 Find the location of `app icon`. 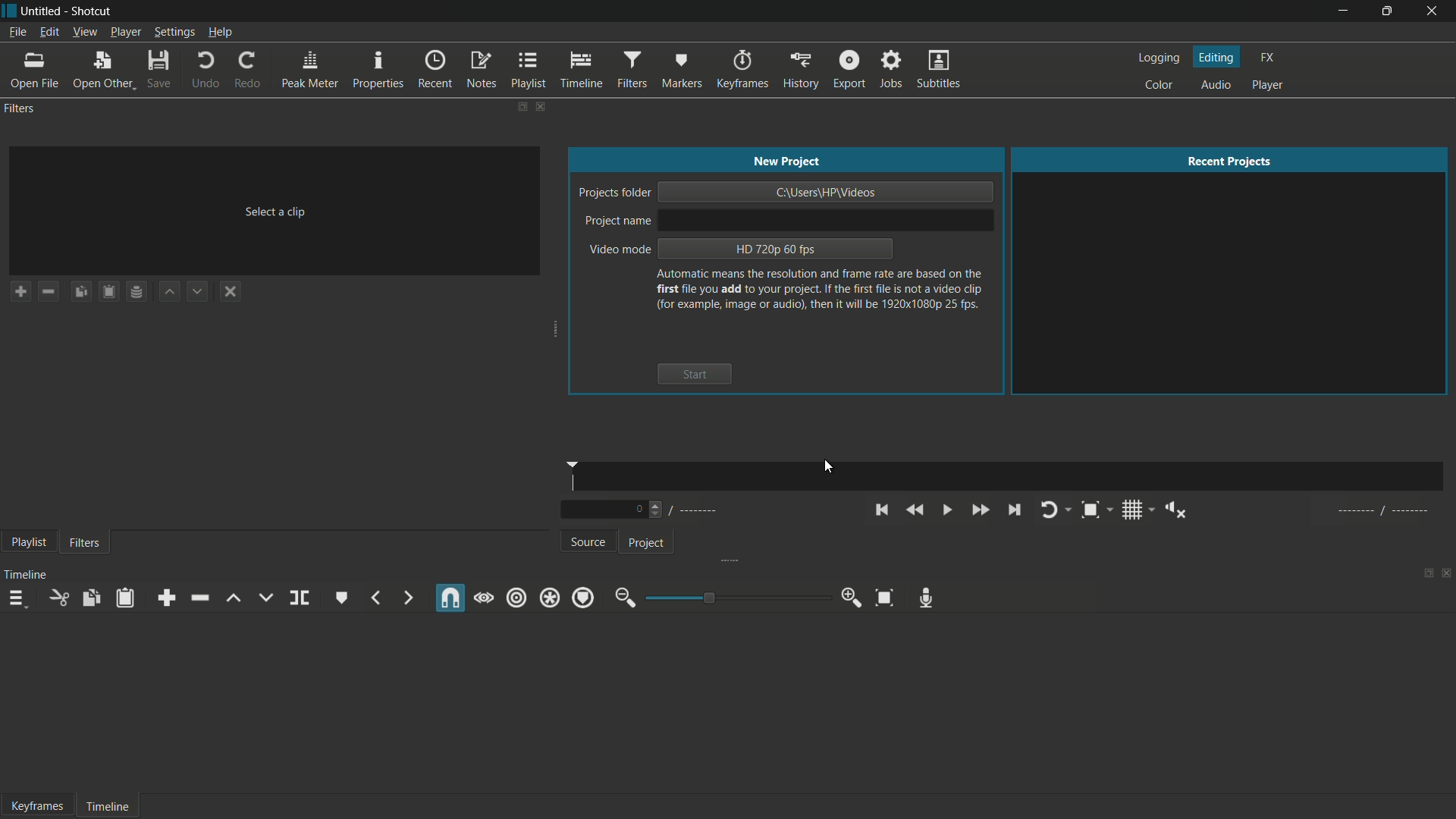

app icon is located at coordinates (9, 9).